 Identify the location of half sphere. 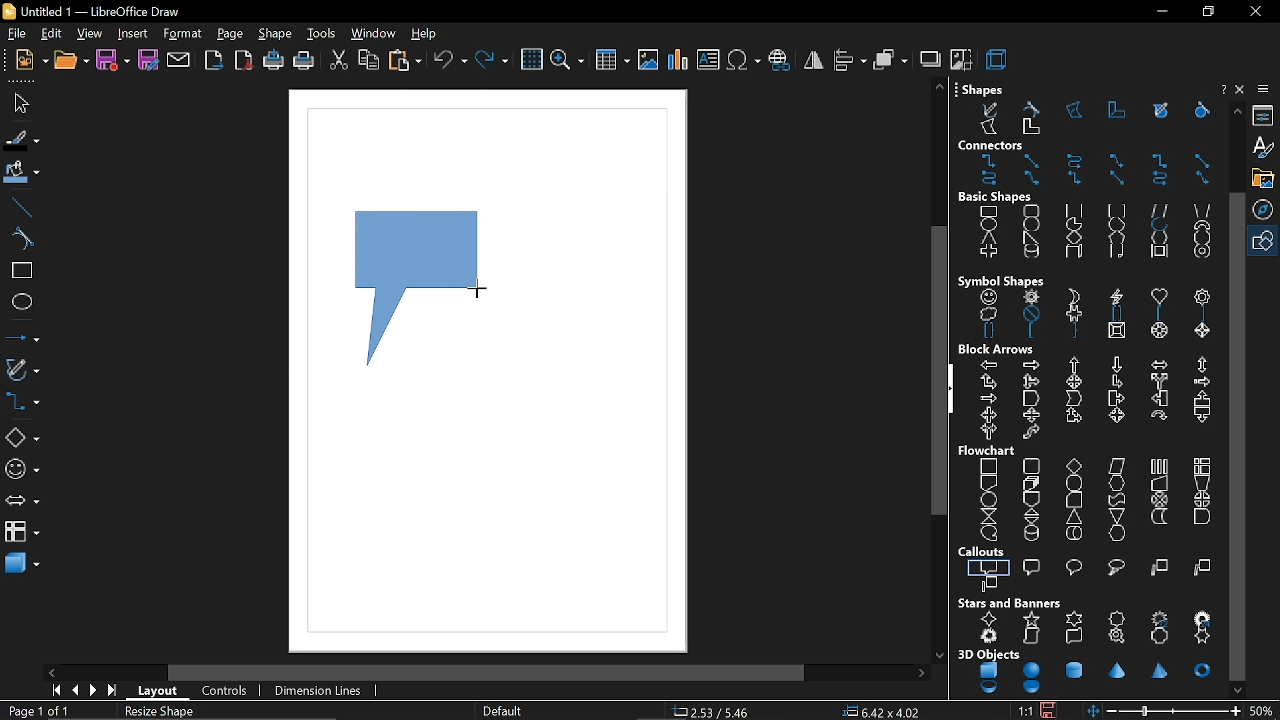
(1032, 688).